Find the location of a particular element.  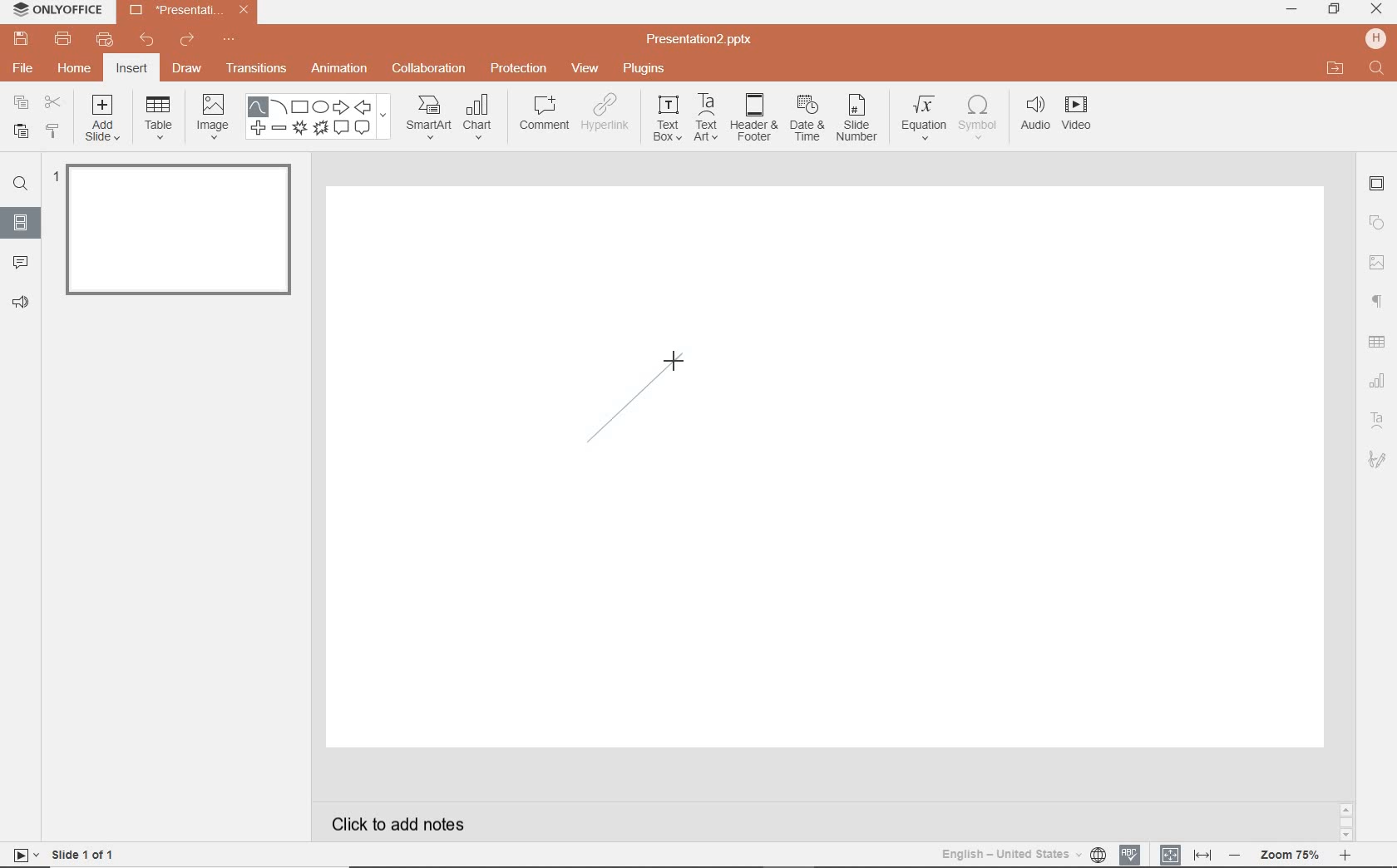

PRINT is located at coordinates (62, 38).